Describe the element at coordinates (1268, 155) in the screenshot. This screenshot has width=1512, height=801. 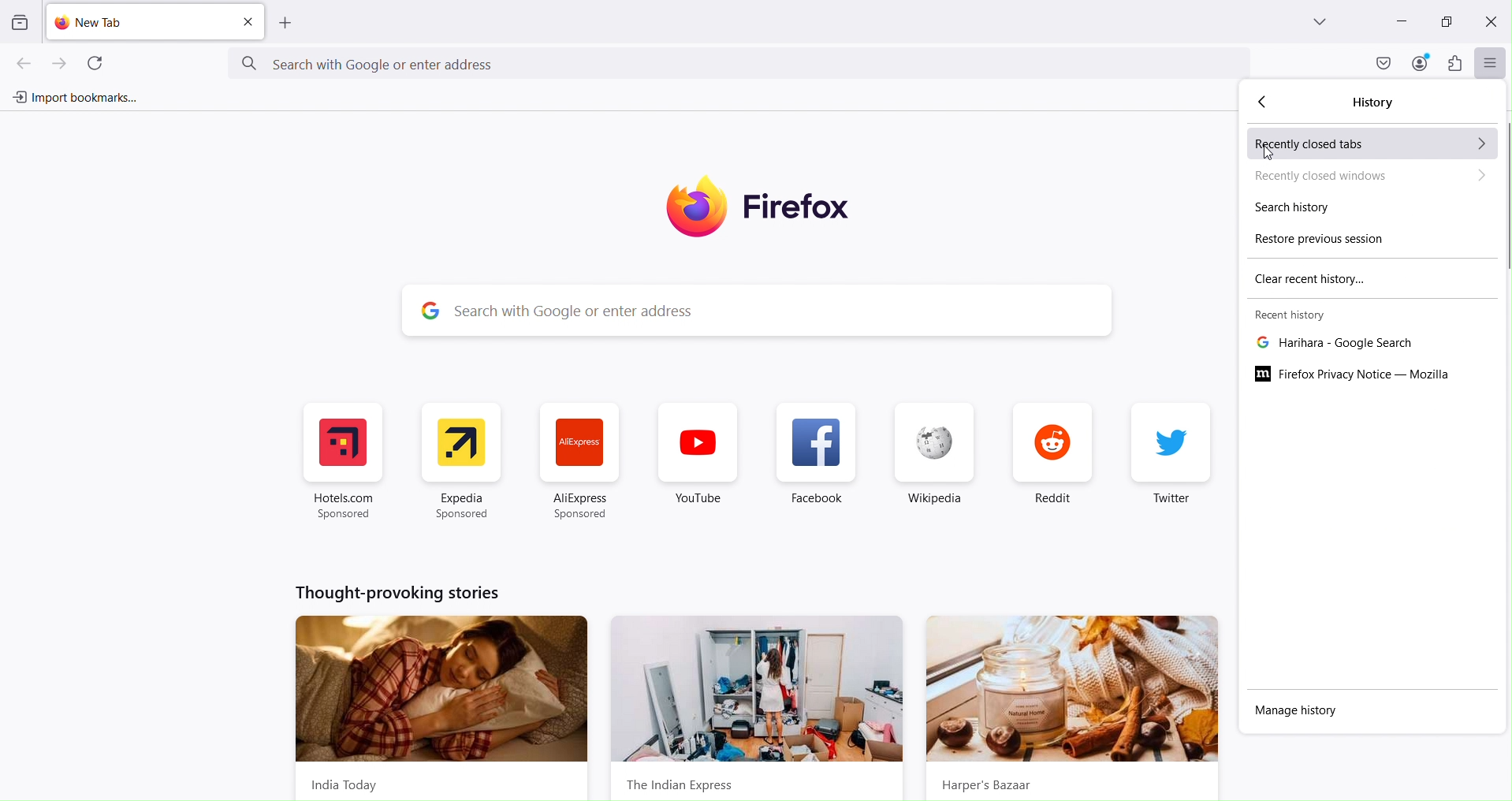
I see `Cursor` at that location.